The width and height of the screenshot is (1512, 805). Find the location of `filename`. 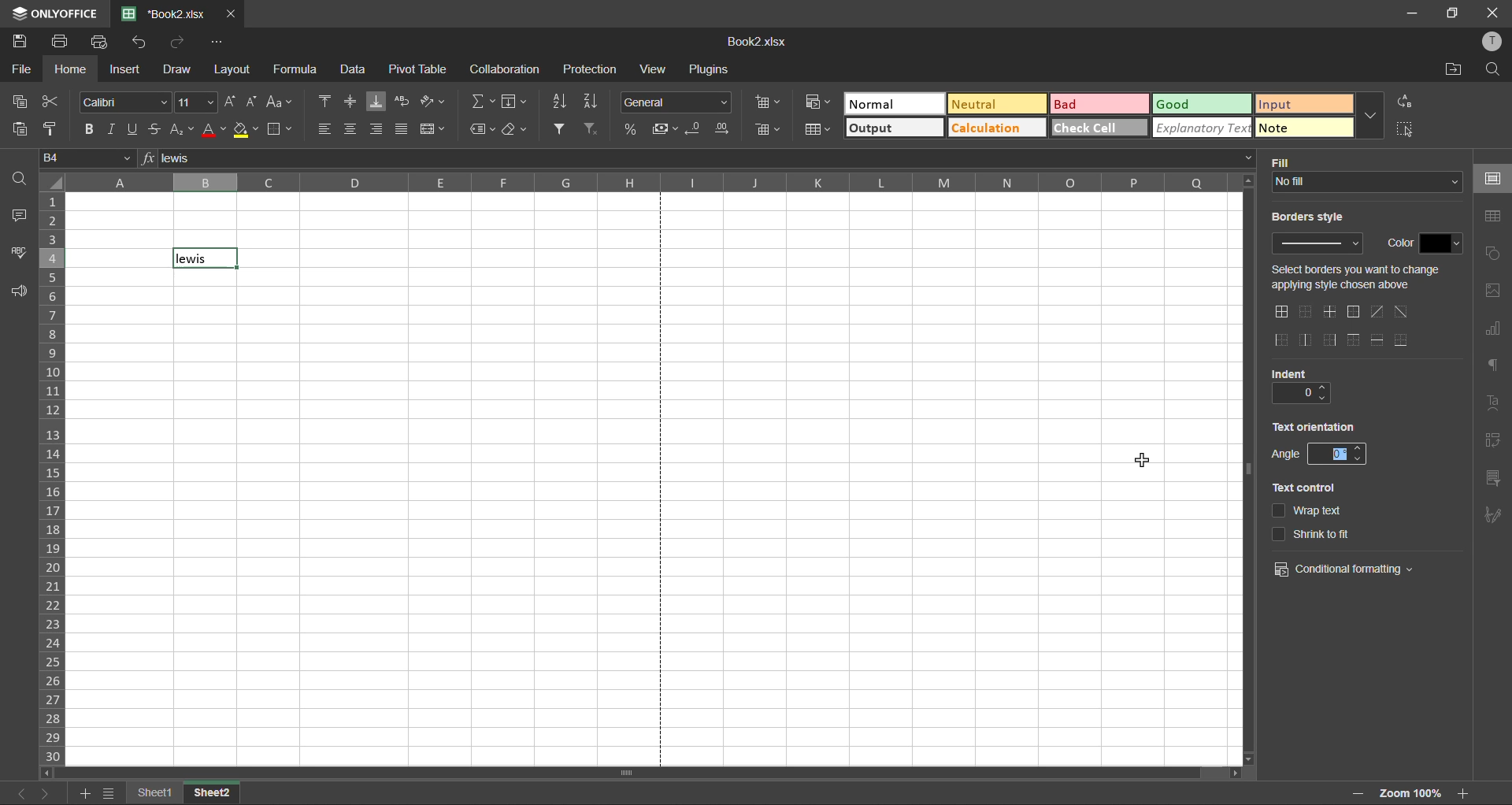

filename is located at coordinates (764, 40).